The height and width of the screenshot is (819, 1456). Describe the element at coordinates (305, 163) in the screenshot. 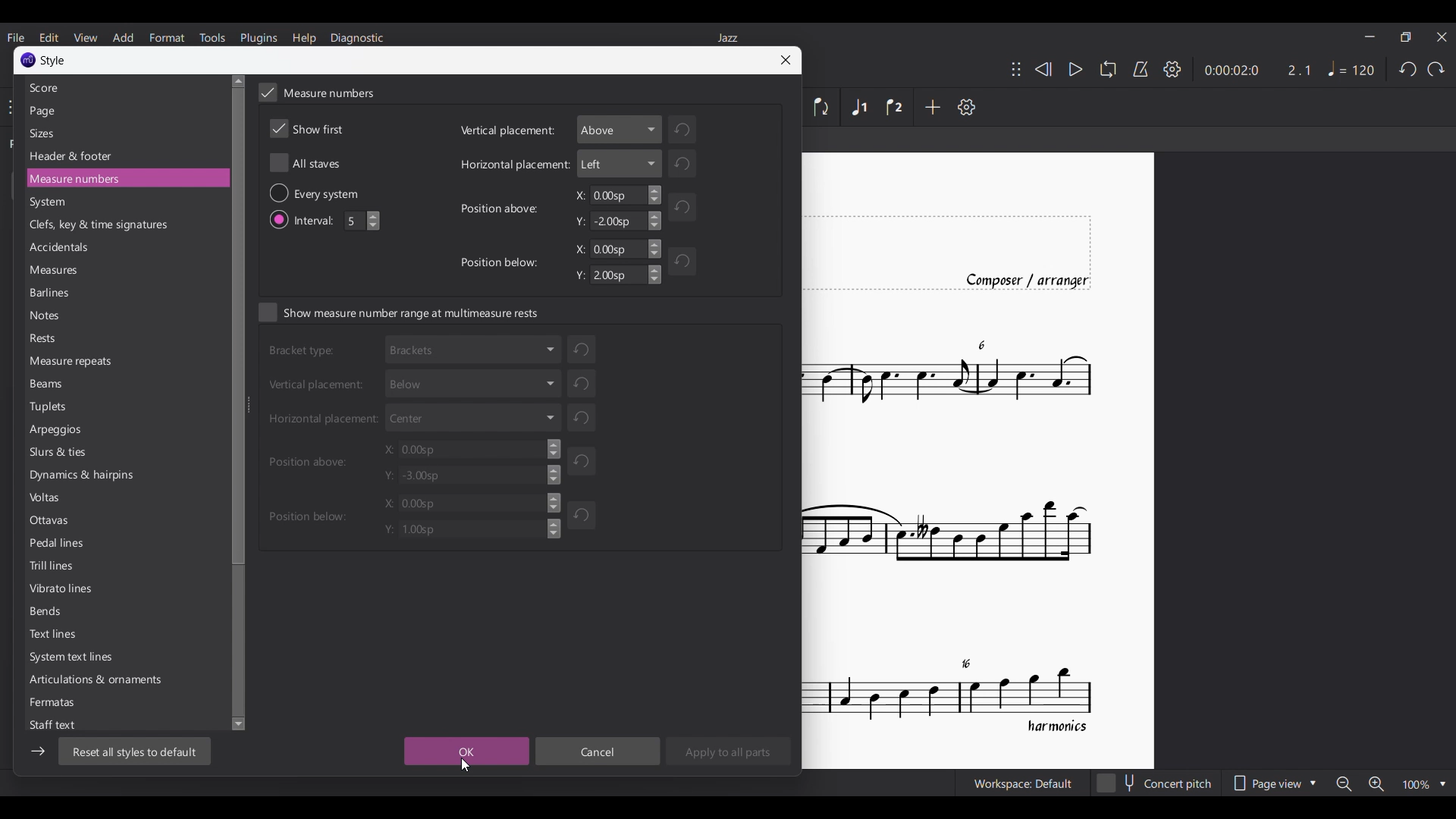

I see `Toggle all staves` at that location.